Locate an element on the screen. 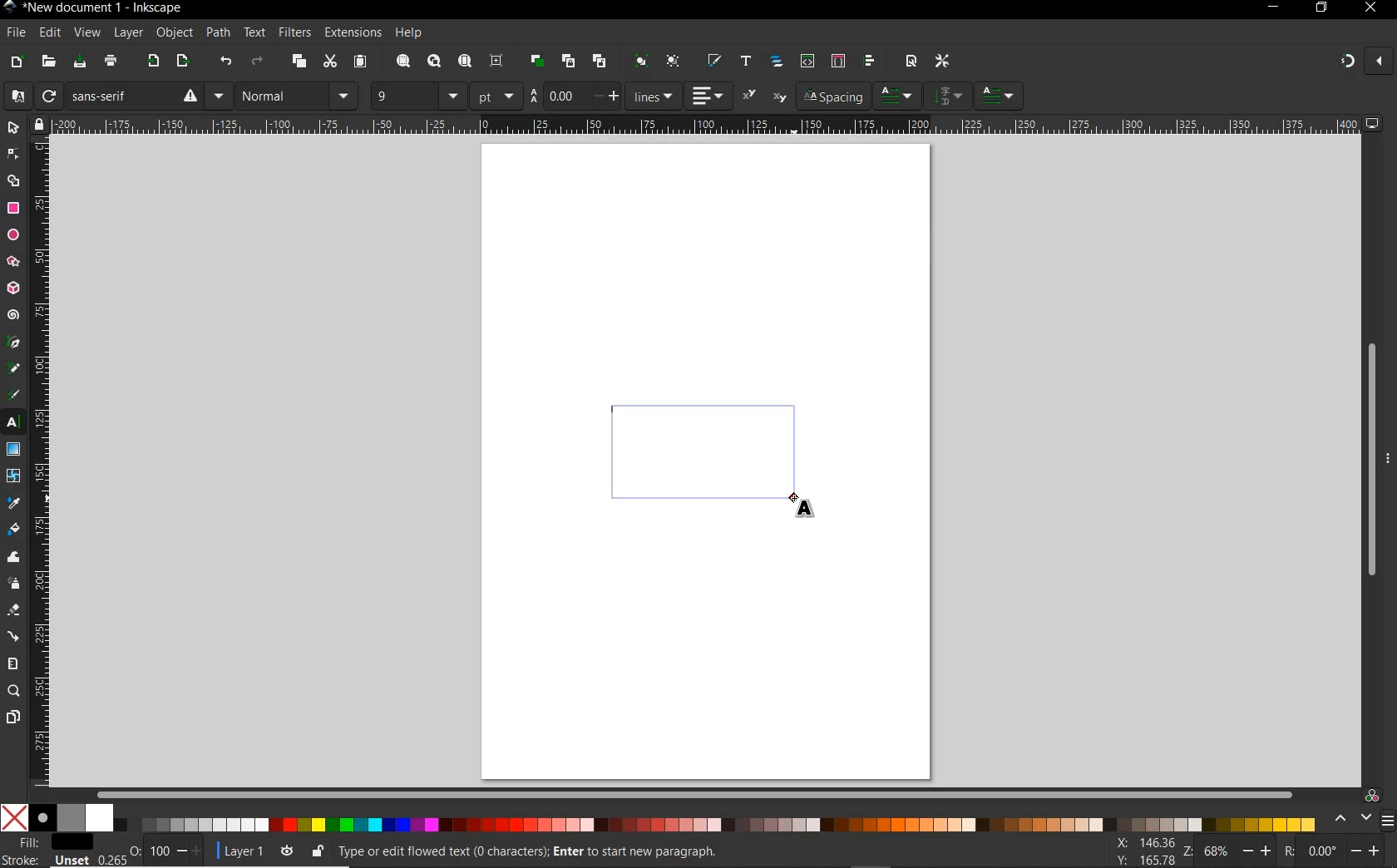 The height and width of the screenshot is (868, 1397). color modes is located at coordinates (658, 817).